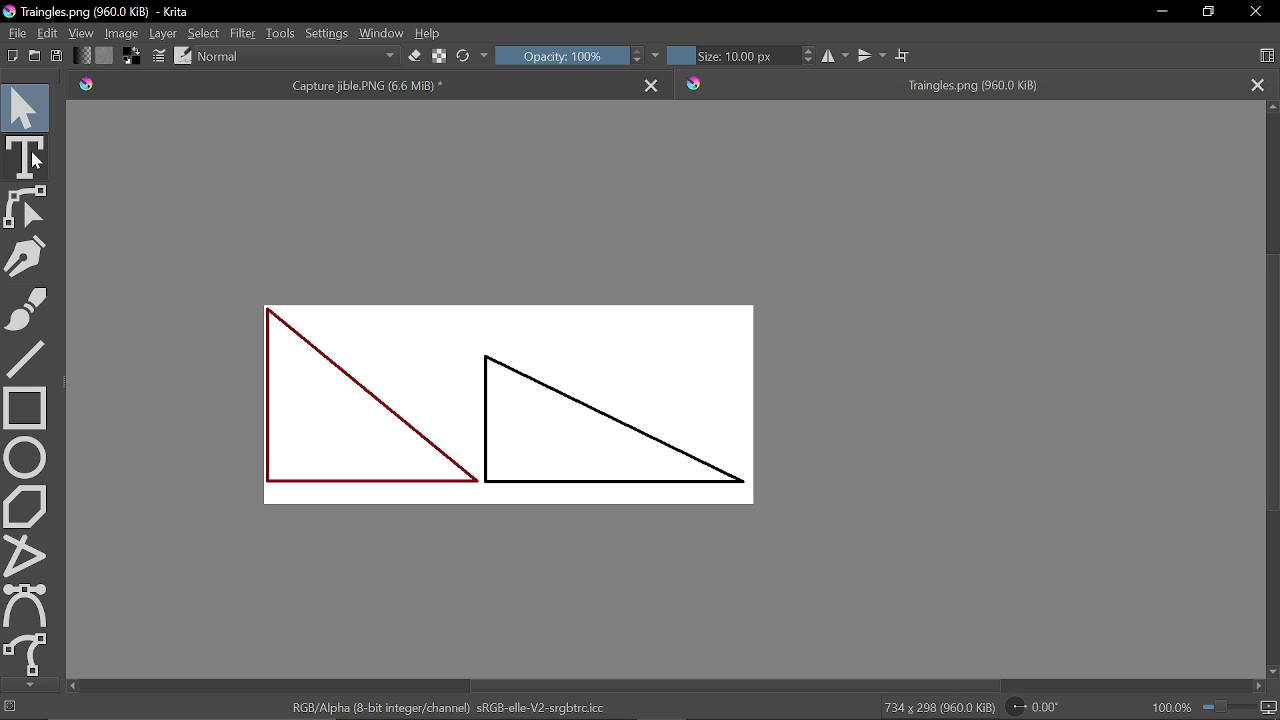 The height and width of the screenshot is (720, 1280). What do you see at coordinates (1240, 709) in the screenshot?
I see `Zoom` at bounding box center [1240, 709].